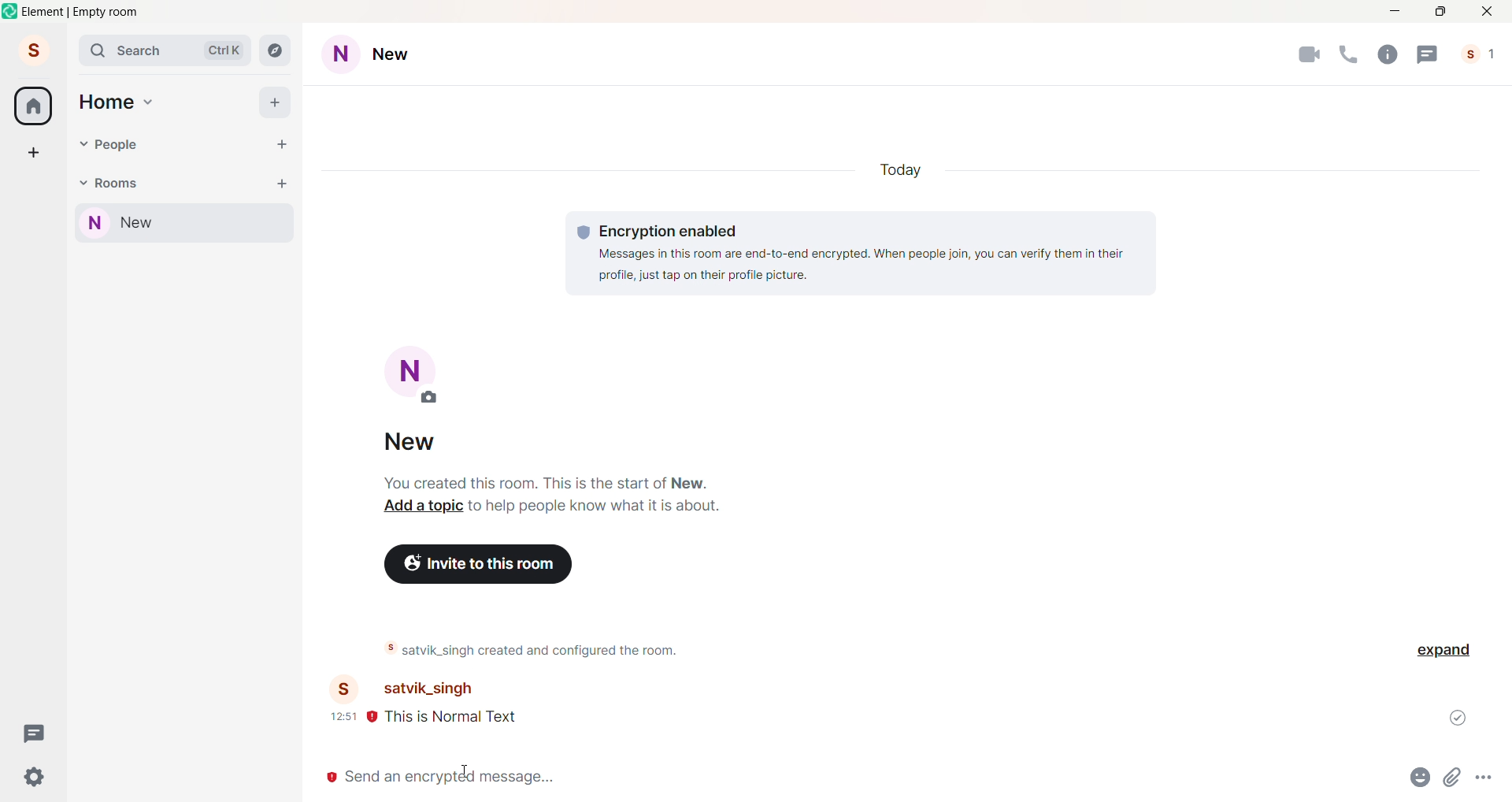 Image resolution: width=1512 pixels, height=802 pixels. What do you see at coordinates (862, 251) in the screenshot?
I see `Encryption enabled Messages in this room are end-to-end encrypted. When people join, you can verify them in their profile, just tap on their profile picture.` at bounding box center [862, 251].